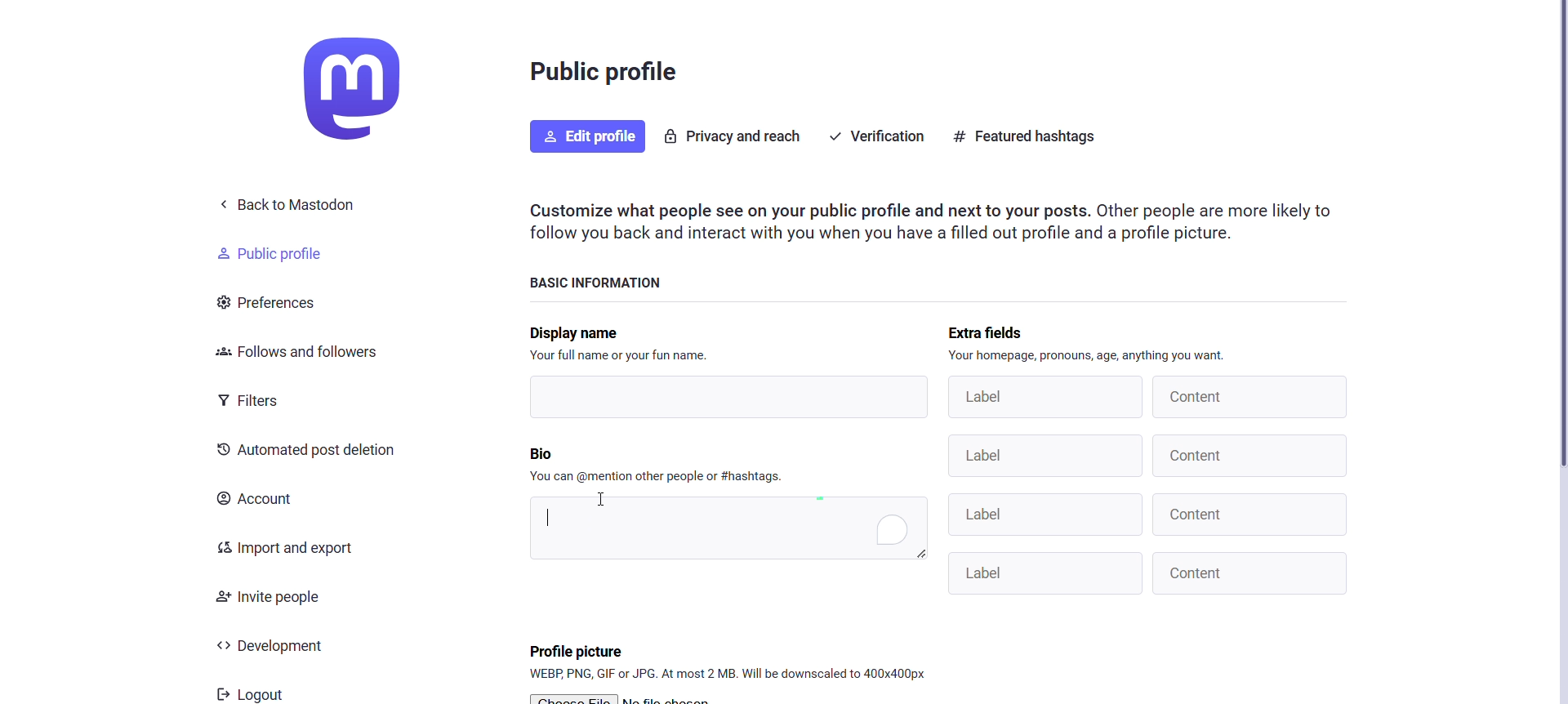 This screenshot has width=1568, height=704. Describe the element at coordinates (1251, 574) in the screenshot. I see `Content` at that location.